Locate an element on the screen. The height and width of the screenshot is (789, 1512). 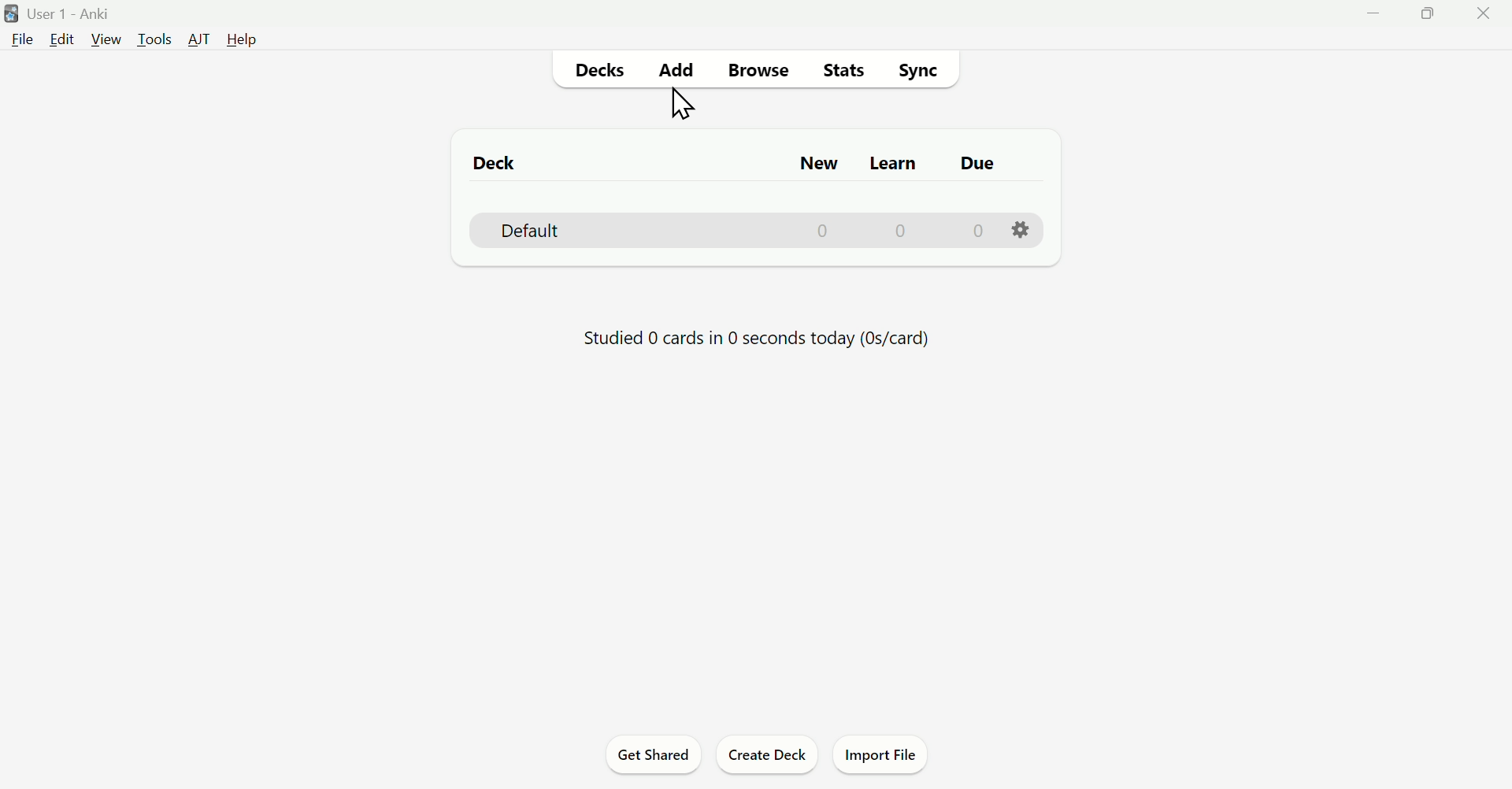
Due is located at coordinates (995, 163).